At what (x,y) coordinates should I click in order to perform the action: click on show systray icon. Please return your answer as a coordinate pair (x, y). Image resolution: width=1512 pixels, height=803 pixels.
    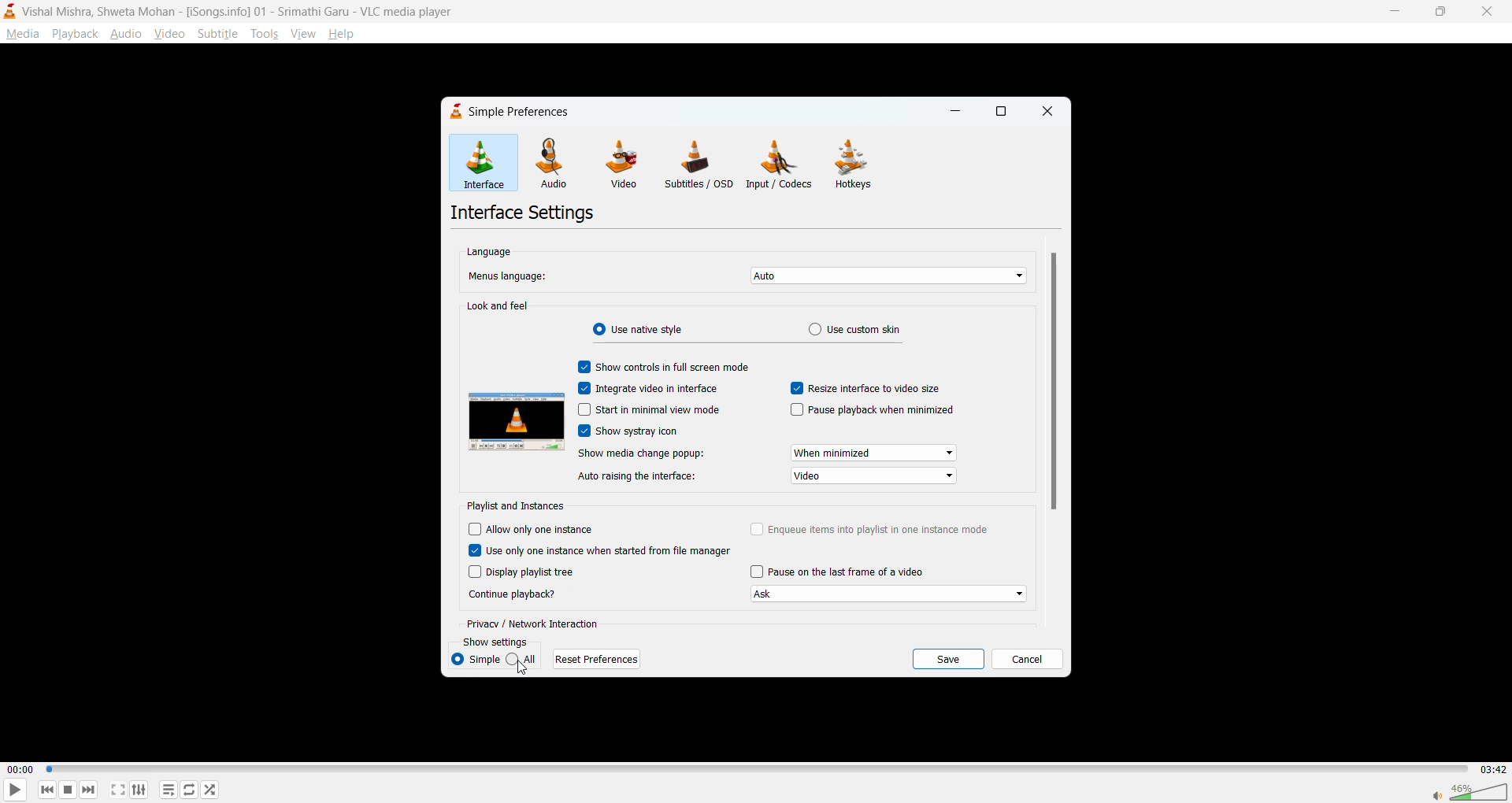
    Looking at the image, I should click on (629, 429).